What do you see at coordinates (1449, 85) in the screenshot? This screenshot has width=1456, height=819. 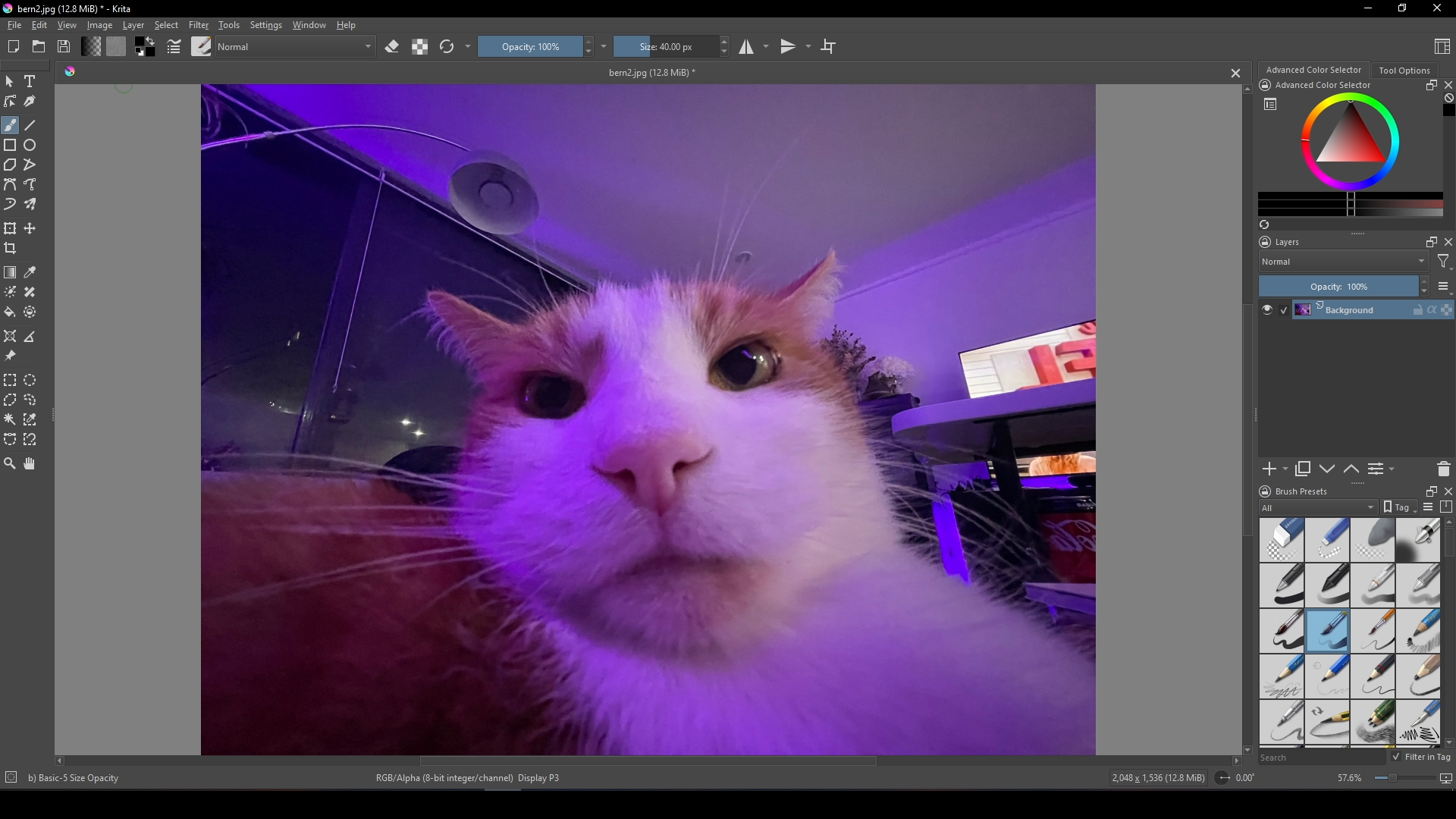 I see `Close docker` at bounding box center [1449, 85].